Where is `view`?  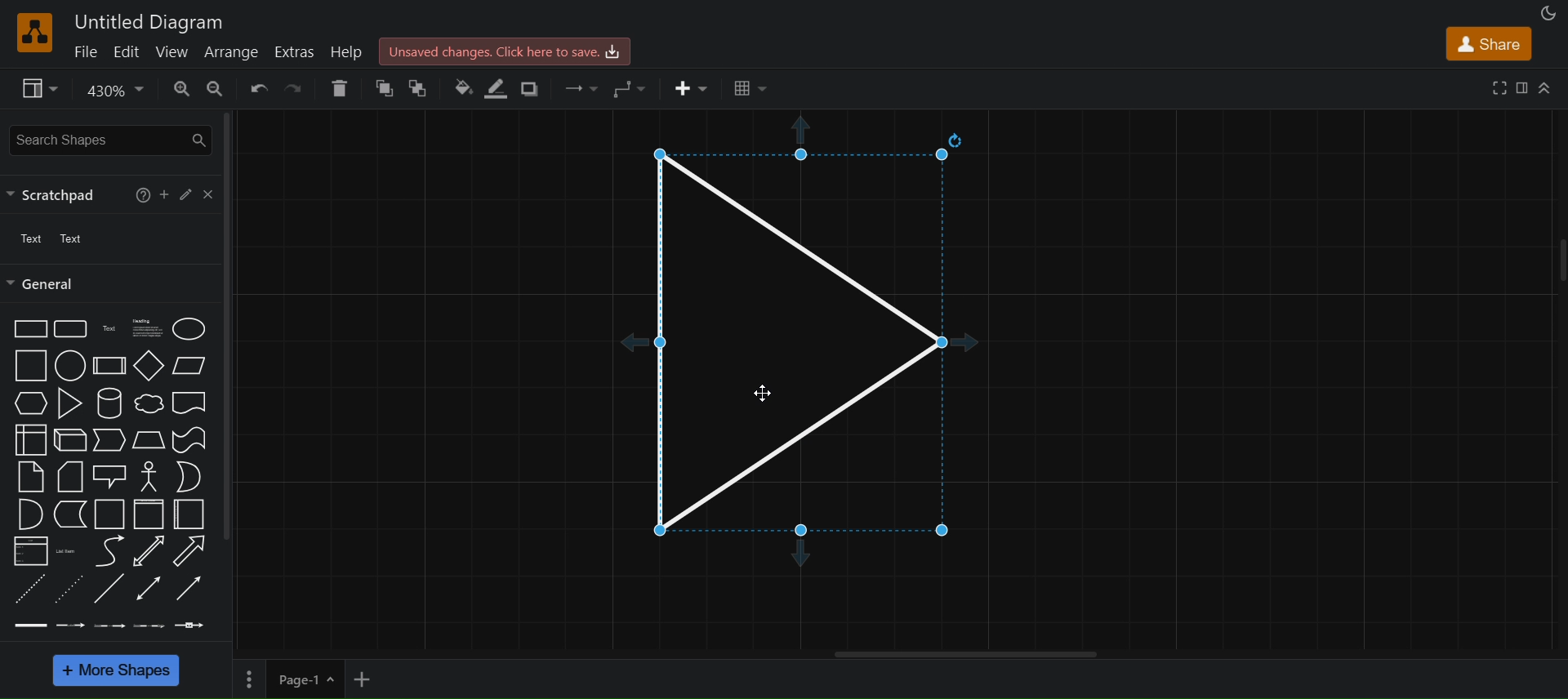 view is located at coordinates (39, 88).